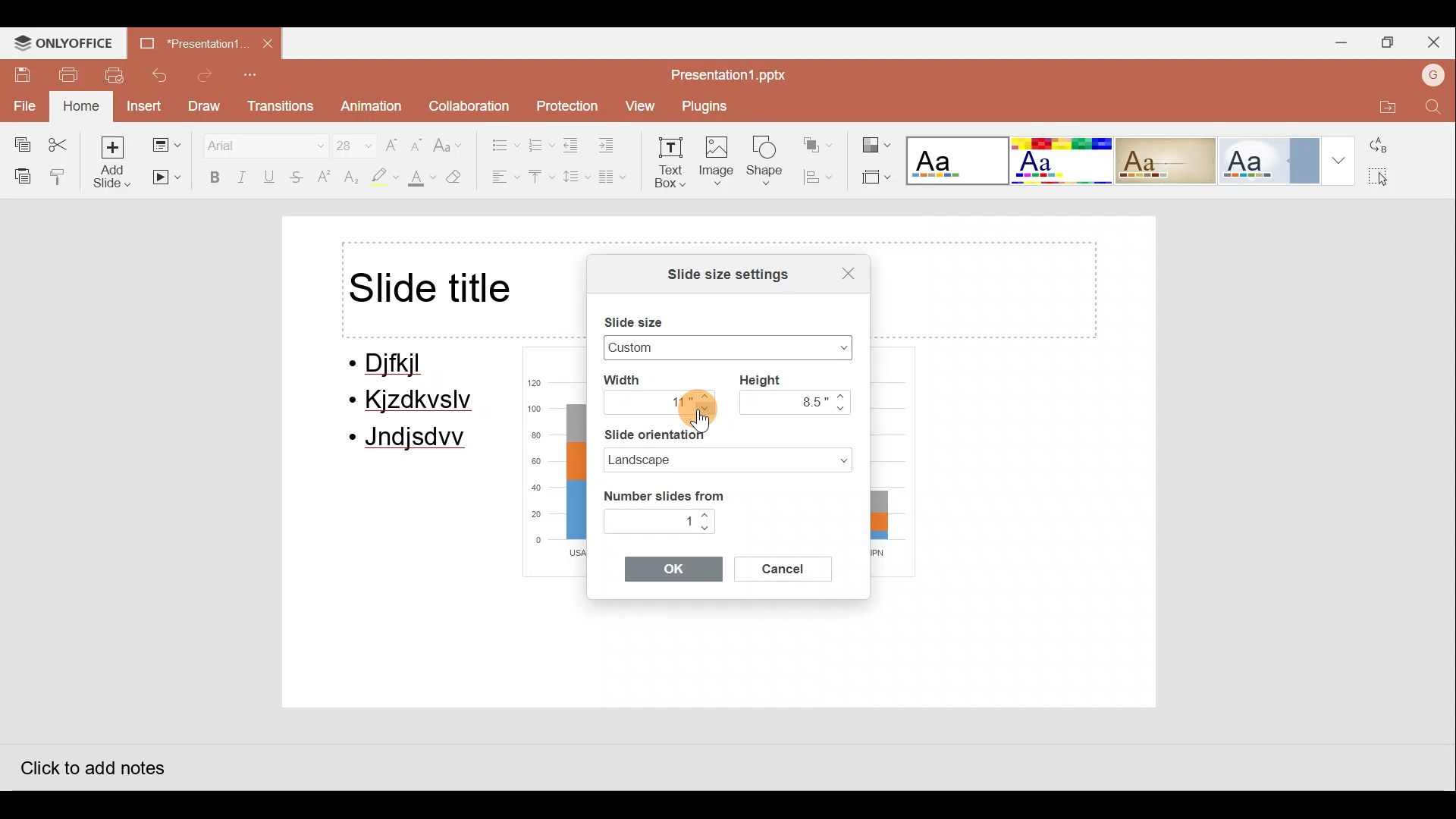  Describe the element at coordinates (564, 101) in the screenshot. I see `Protection` at that location.